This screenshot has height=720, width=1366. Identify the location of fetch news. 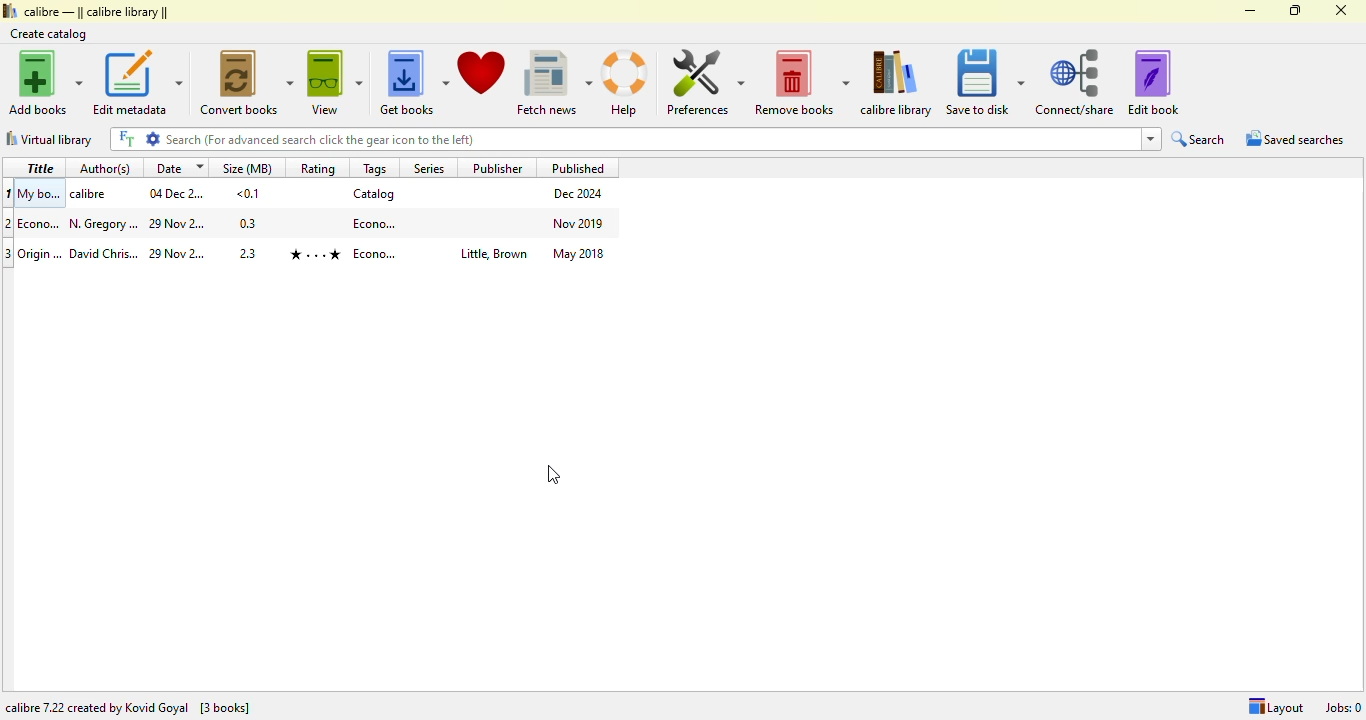
(553, 82).